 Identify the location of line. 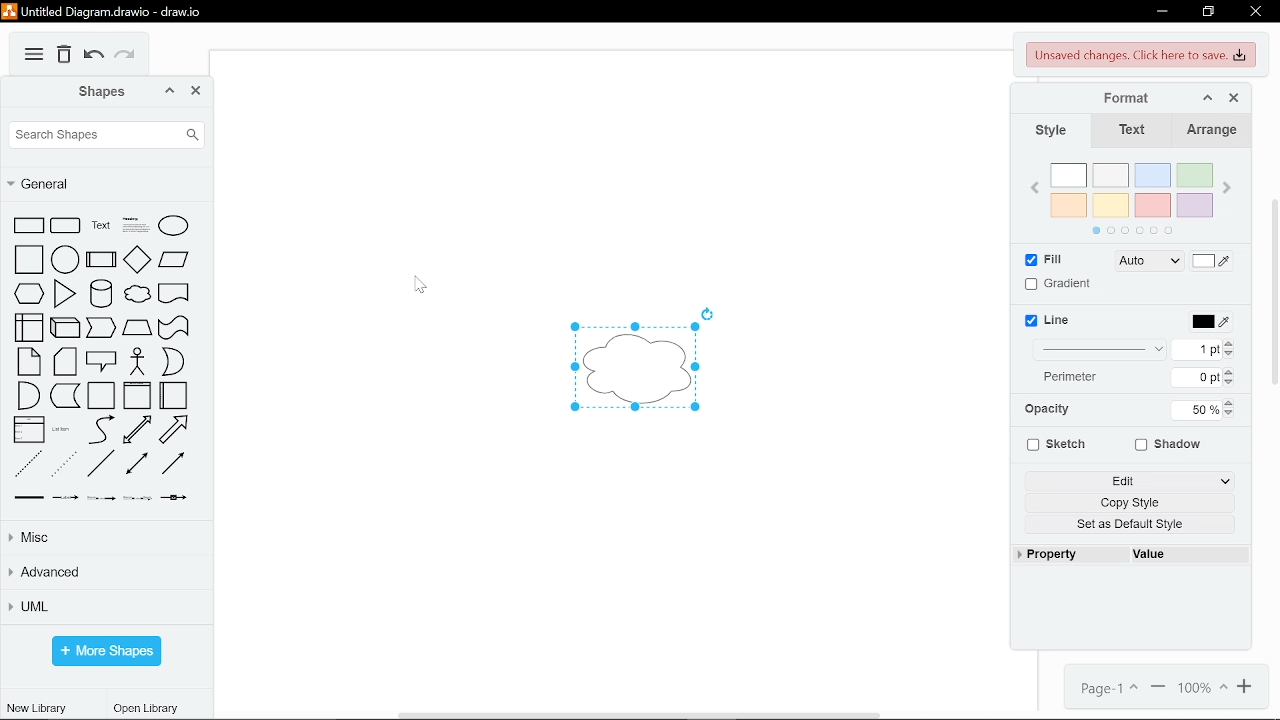
(1052, 322).